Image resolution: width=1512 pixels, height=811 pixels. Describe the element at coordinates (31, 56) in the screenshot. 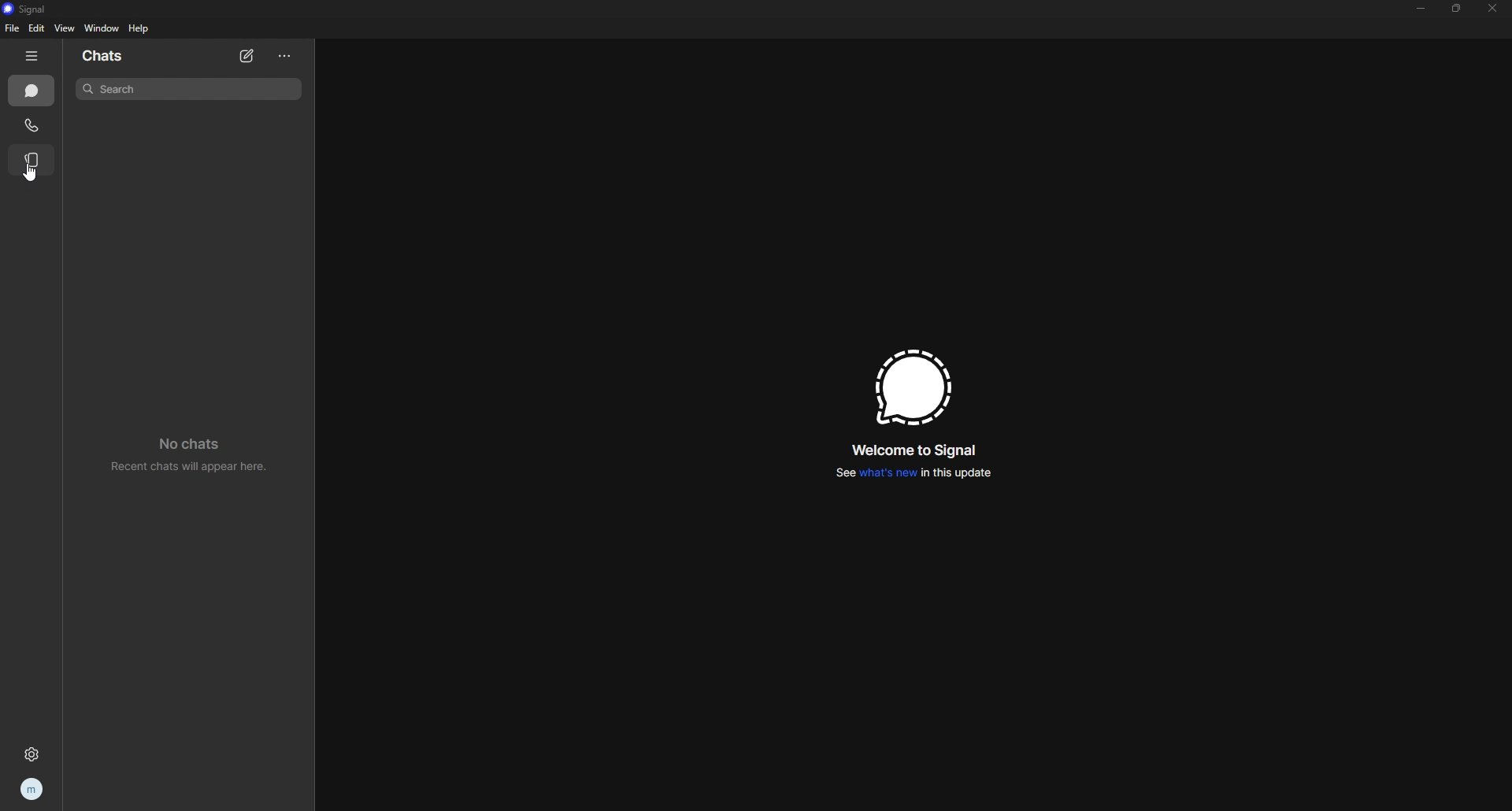

I see `hide tab` at that location.